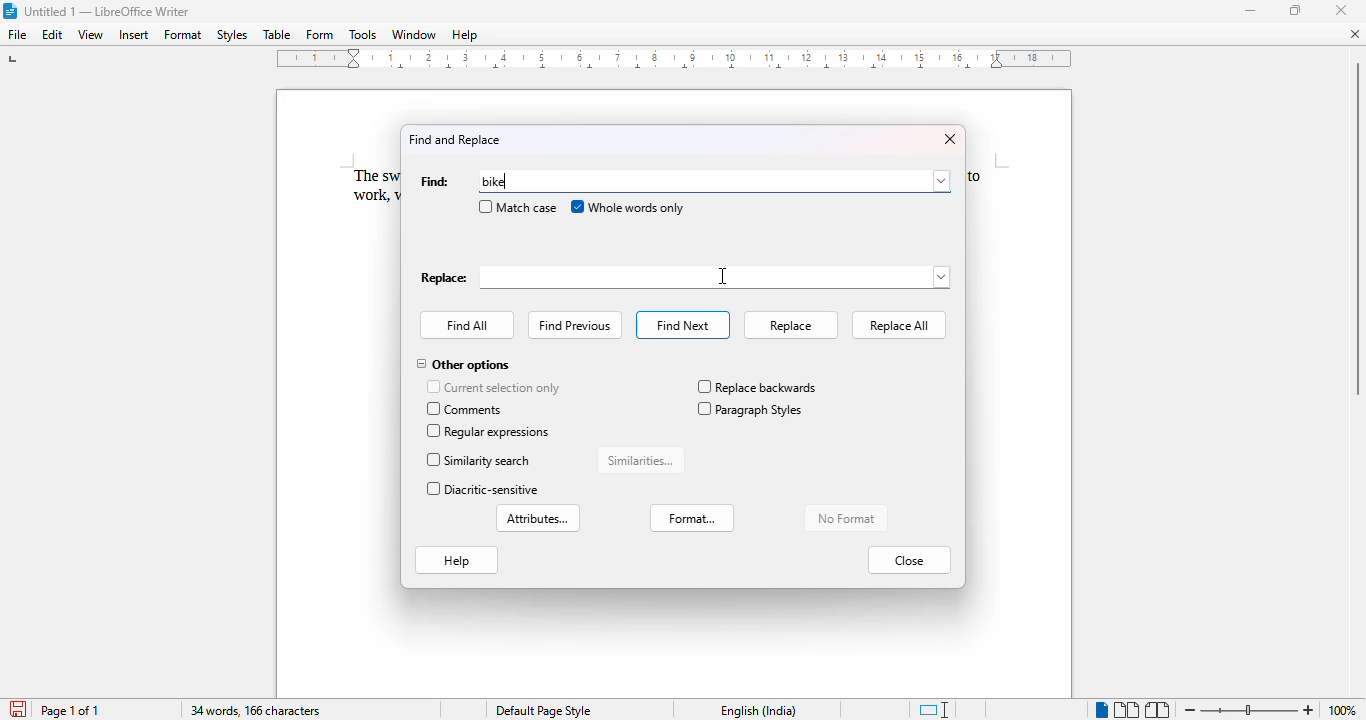 The image size is (1366, 720). Describe the element at coordinates (435, 182) in the screenshot. I see `find: ` at that location.